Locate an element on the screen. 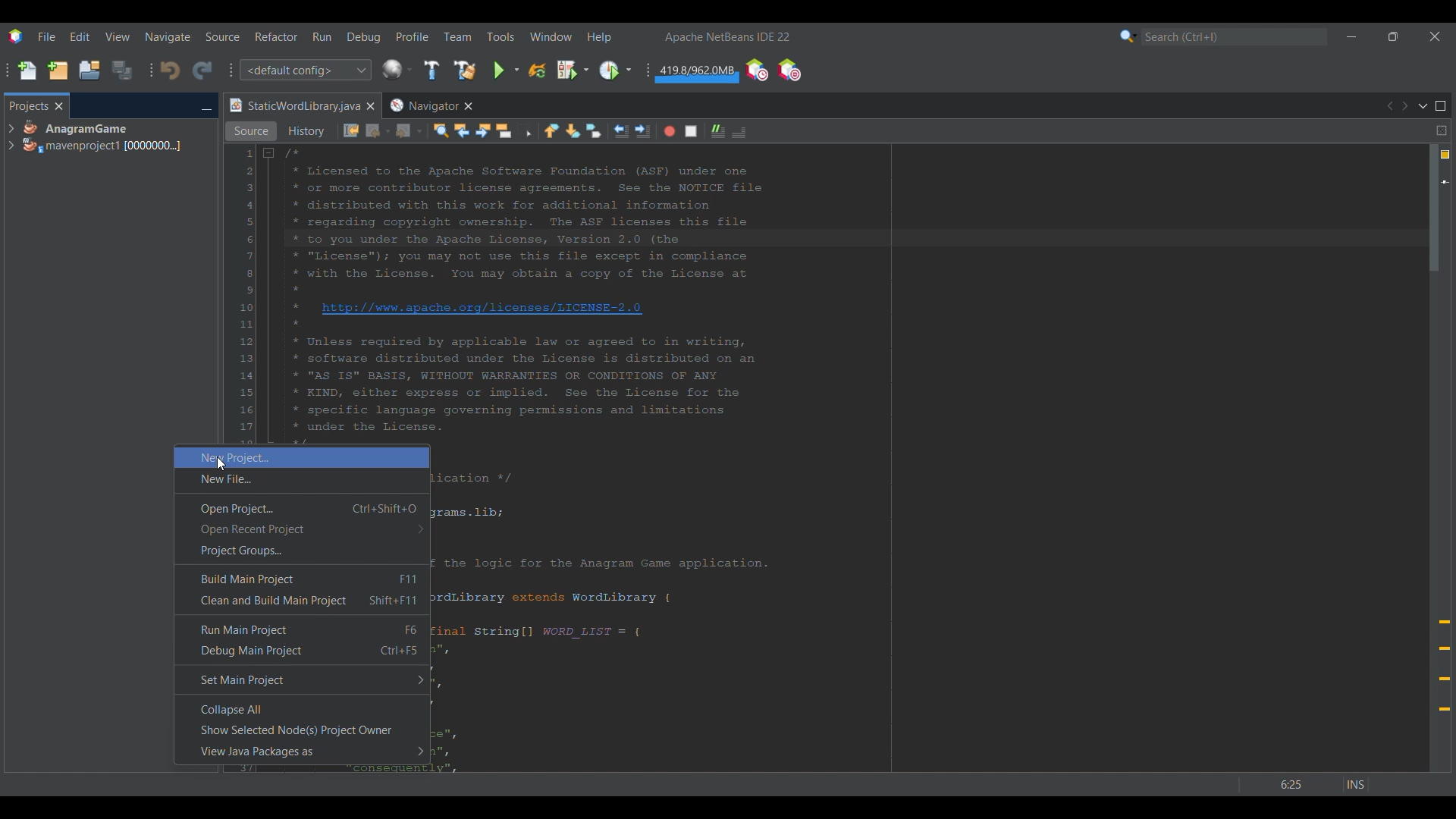  Stop macro recording is located at coordinates (691, 131).